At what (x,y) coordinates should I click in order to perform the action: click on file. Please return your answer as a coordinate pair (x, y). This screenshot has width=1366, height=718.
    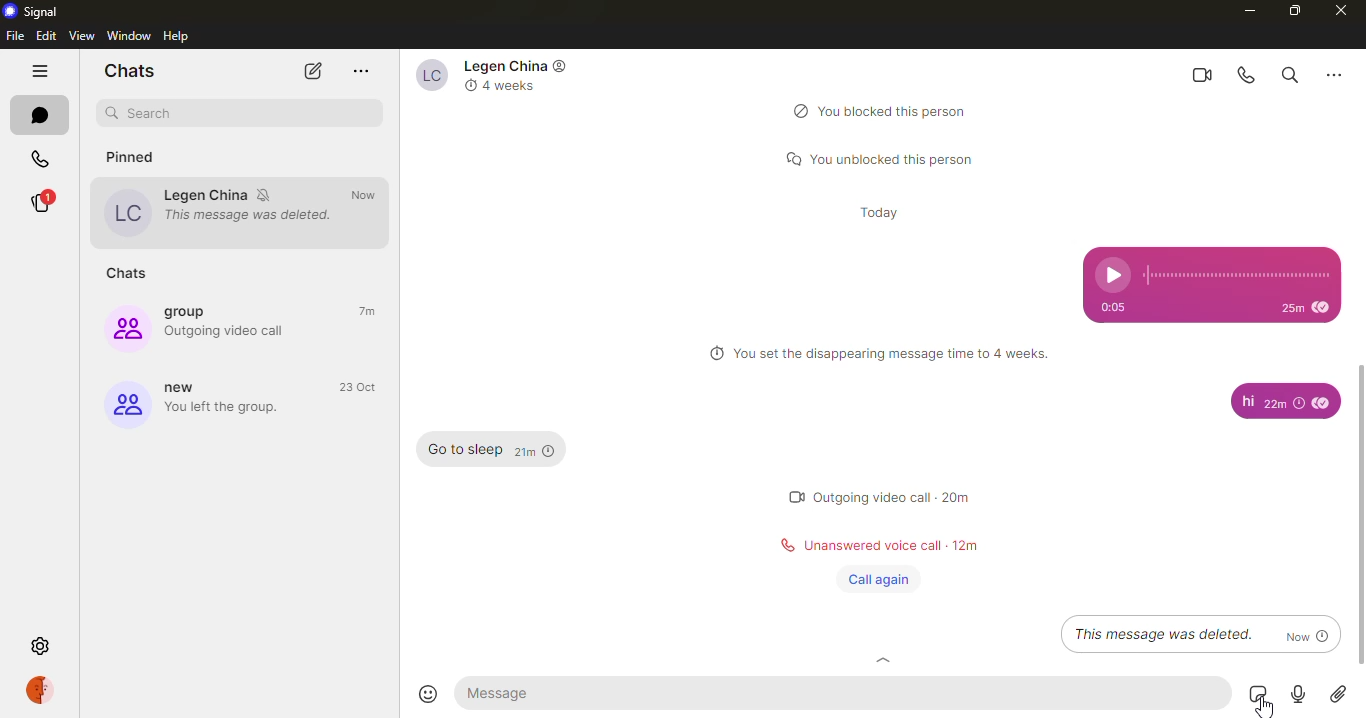
    Looking at the image, I should click on (14, 36).